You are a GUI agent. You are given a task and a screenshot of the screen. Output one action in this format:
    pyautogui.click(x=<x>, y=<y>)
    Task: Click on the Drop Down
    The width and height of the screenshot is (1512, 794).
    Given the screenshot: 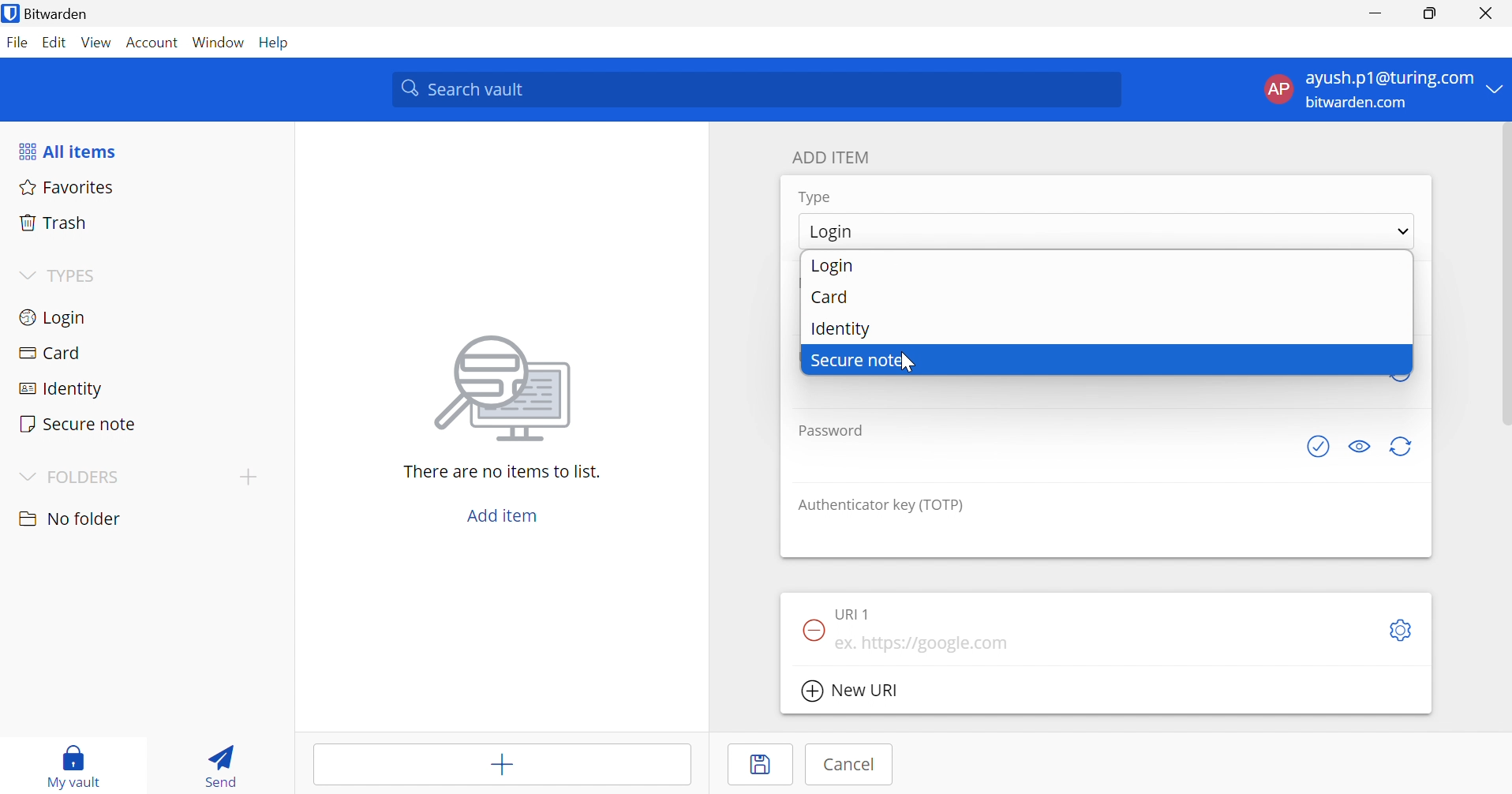 What is the action you would take?
    pyautogui.click(x=25, y=475)
    